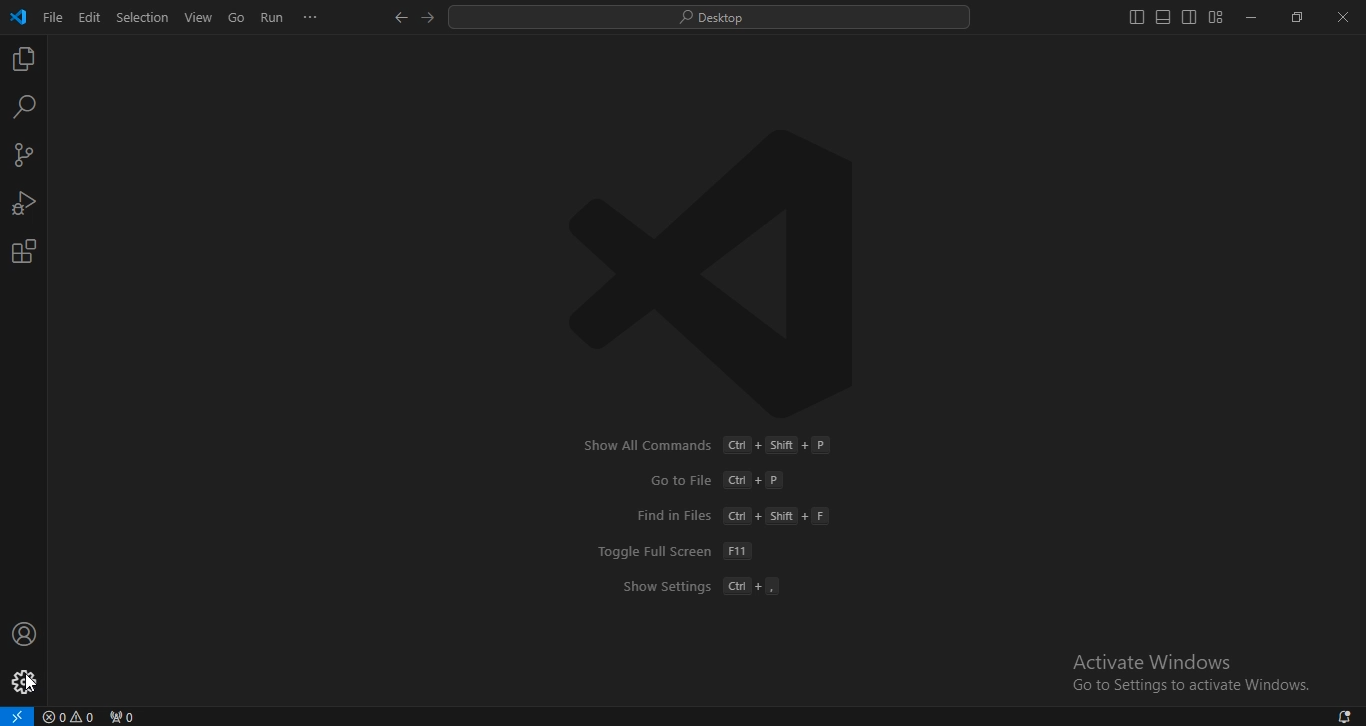 This screenshot has width=1366, height=726. I want to click on text, so click(1193, 688).